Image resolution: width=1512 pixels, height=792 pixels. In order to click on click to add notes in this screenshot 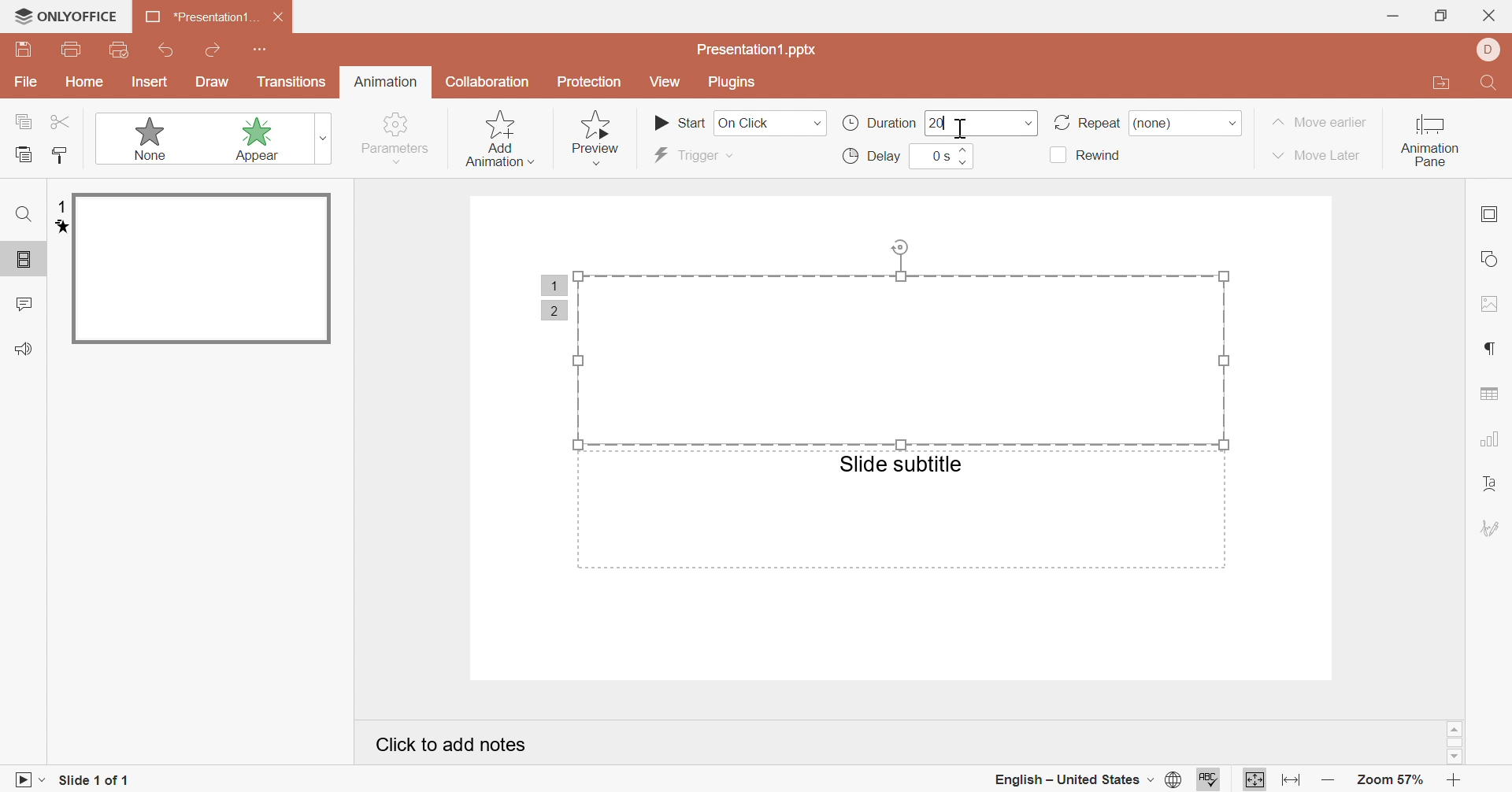, I will do `click(448, 742)`.